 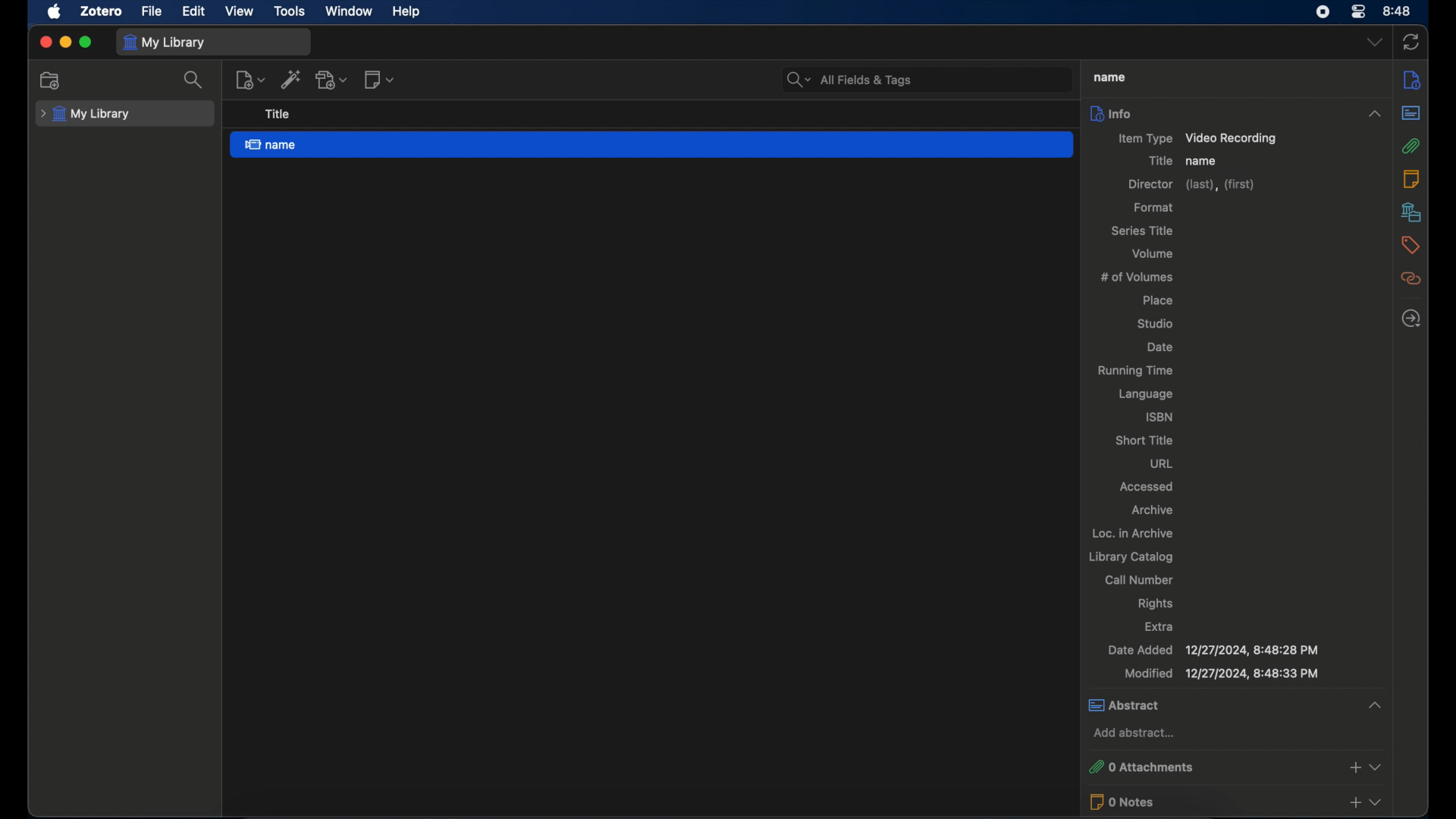 I want to click on time, so click(x=1398, y=11).